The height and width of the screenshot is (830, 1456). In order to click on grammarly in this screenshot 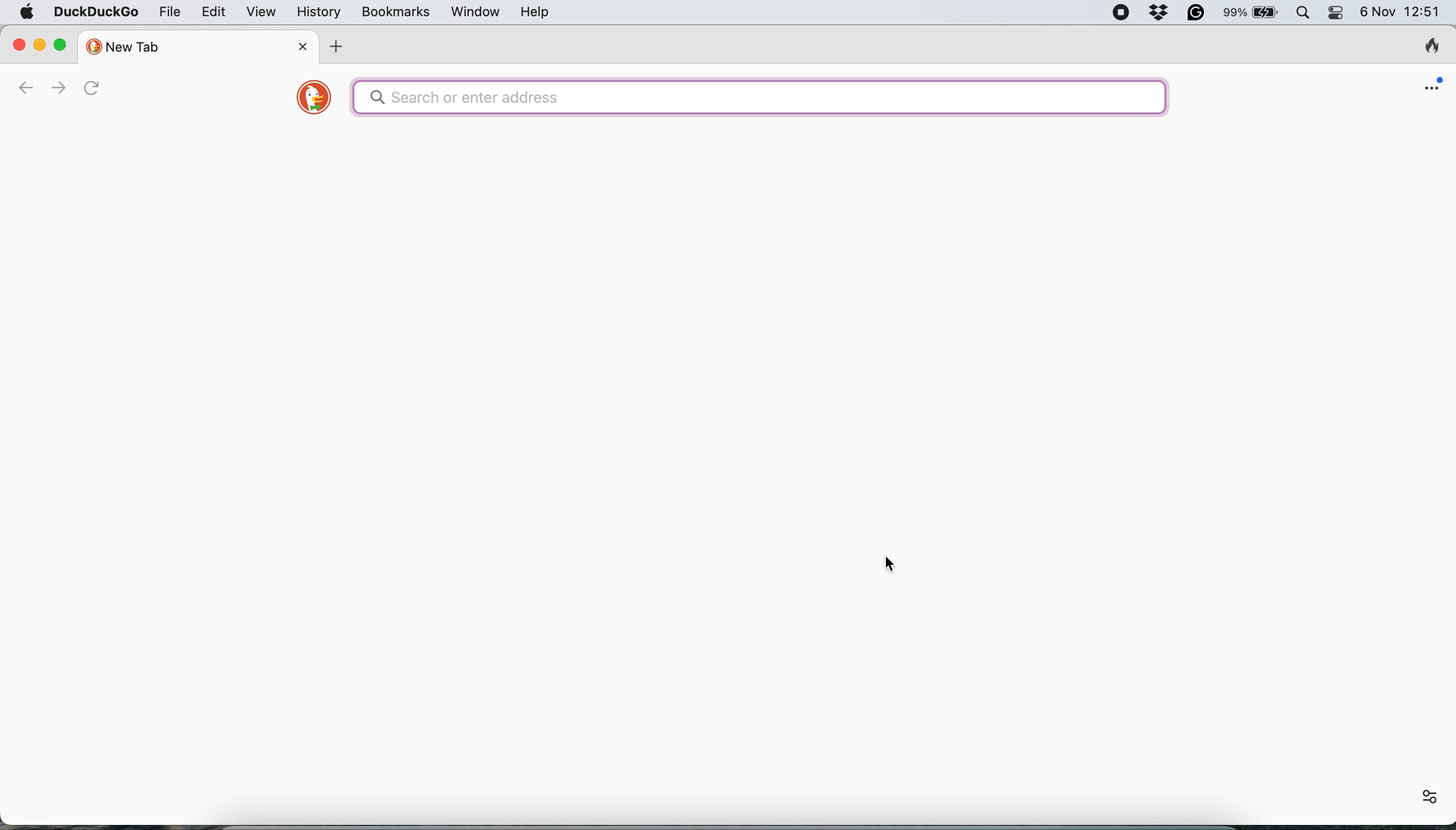, I will do `click(1194, 13)`.